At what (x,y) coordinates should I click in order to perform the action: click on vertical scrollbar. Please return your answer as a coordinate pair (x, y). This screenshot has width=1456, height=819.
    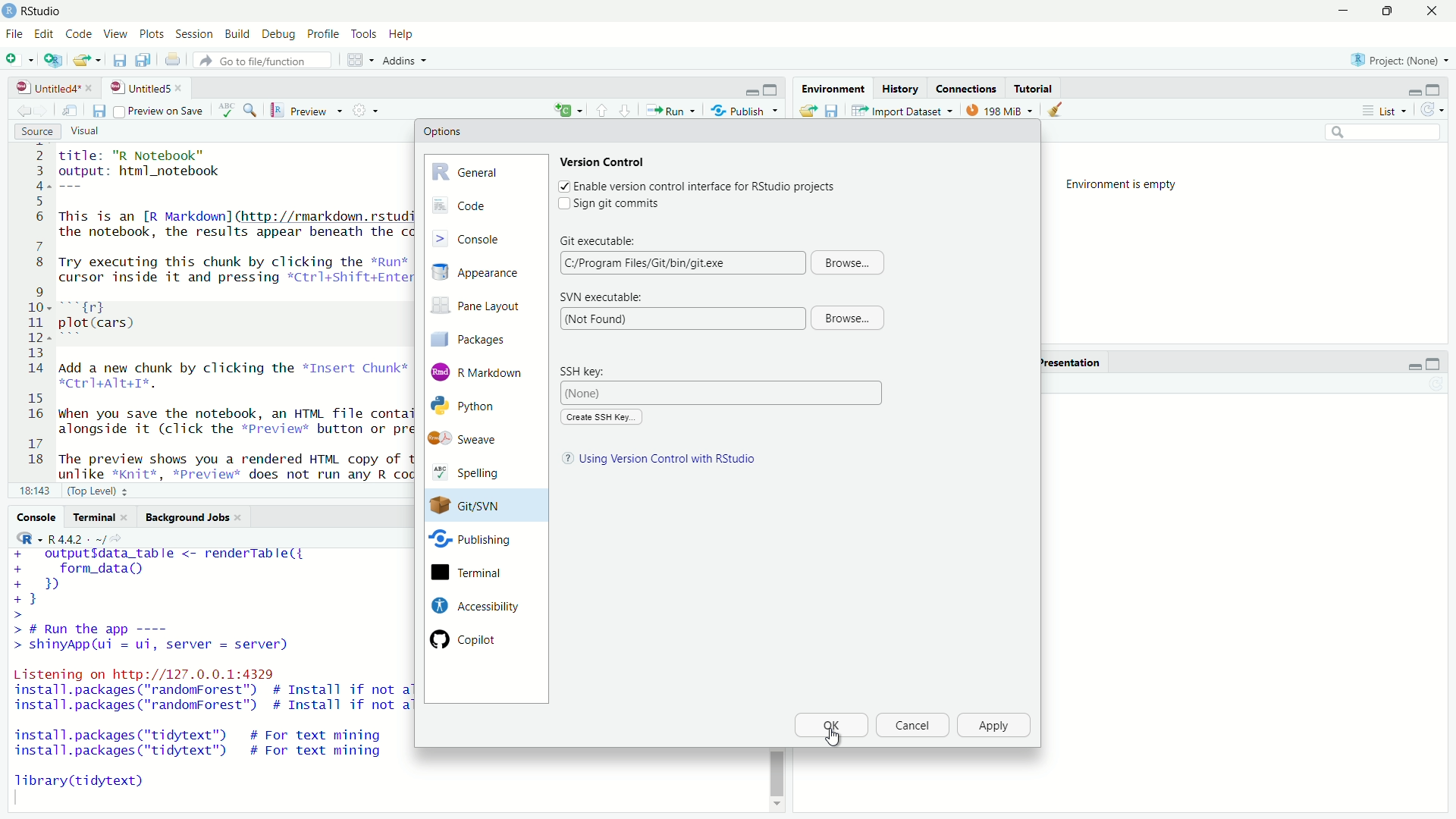
    Looking at the image, I should click on (777, 773).